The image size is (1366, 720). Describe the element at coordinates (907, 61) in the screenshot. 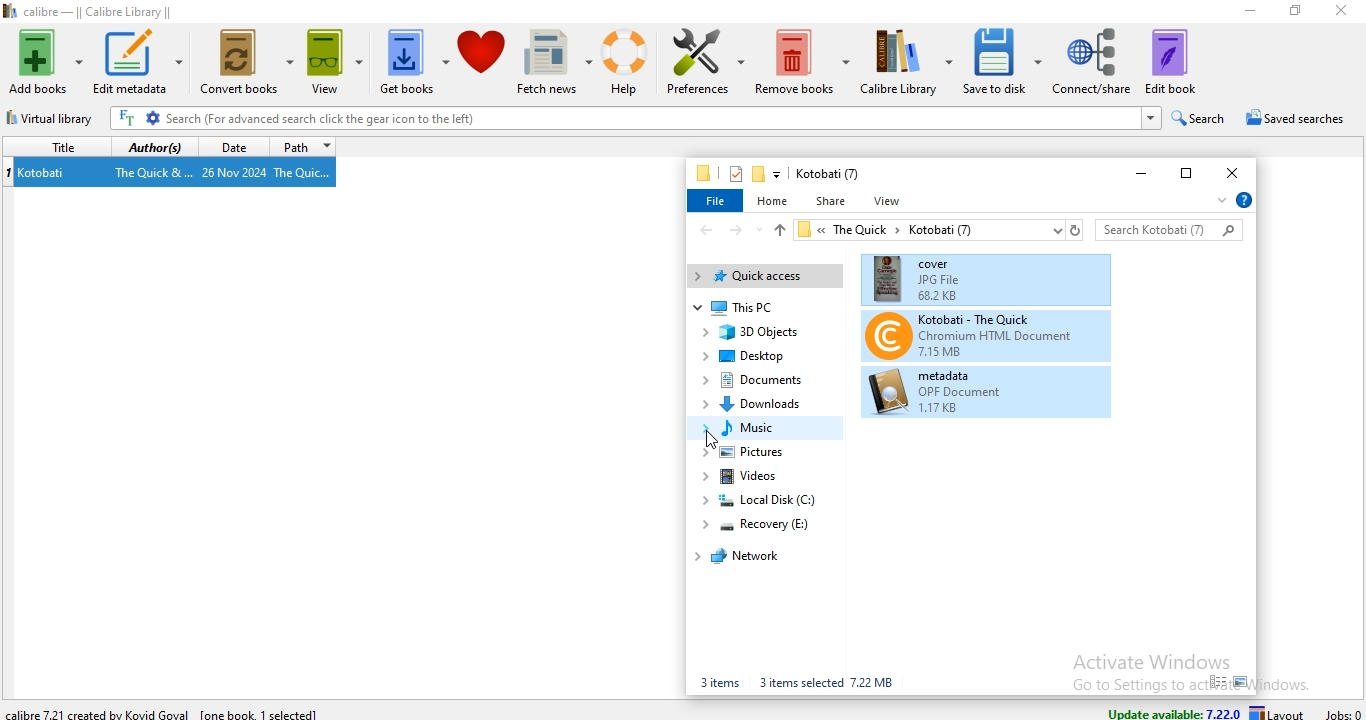

I see `calibre library` at that location.